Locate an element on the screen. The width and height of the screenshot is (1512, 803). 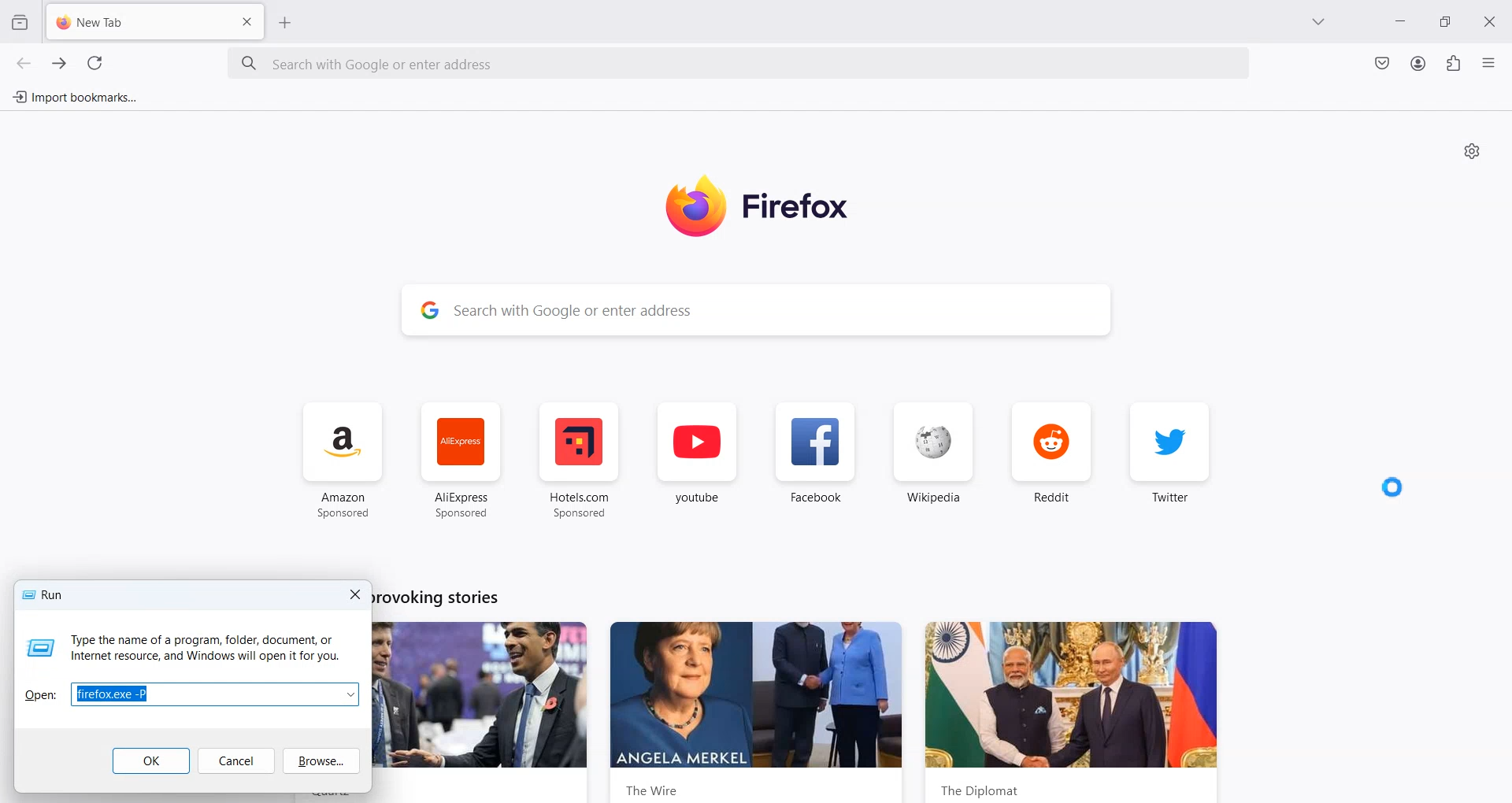
Save to Pocket is located at coordinates (1380, 63).